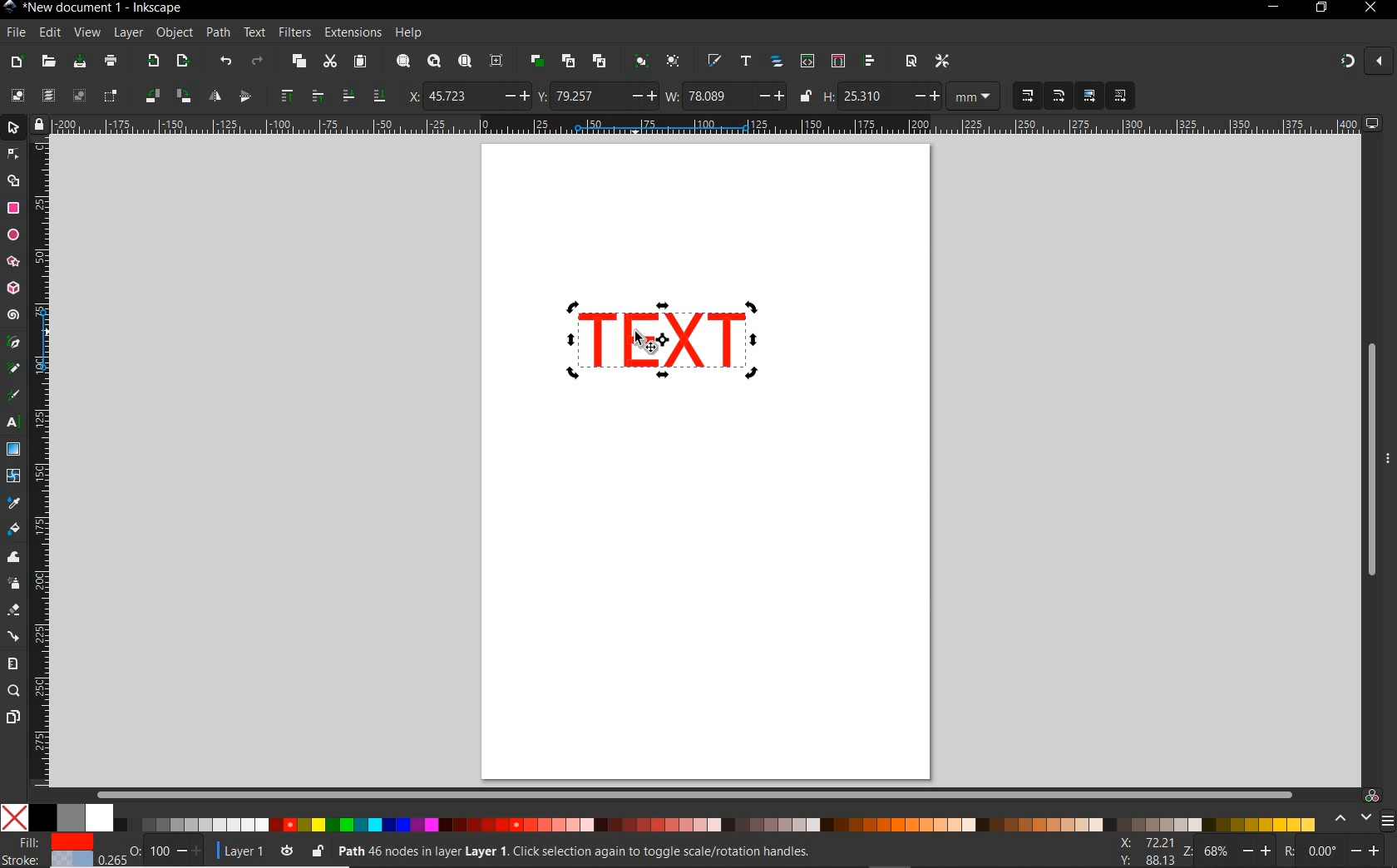 The image size is (1397, 868). Describe the element at coordinates (692, 792) in the screenshot. I see `SCROLLBAR` at that location.